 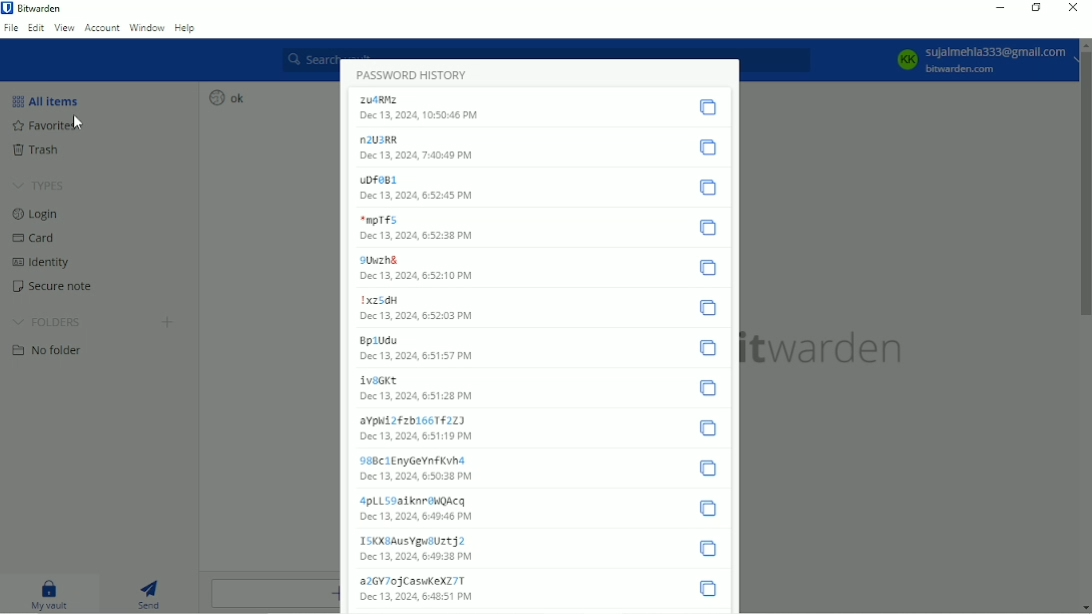 What do you see at coordinates (49, 593) in the screenshot?
I see `My vault` at bounding box center [49, 593].